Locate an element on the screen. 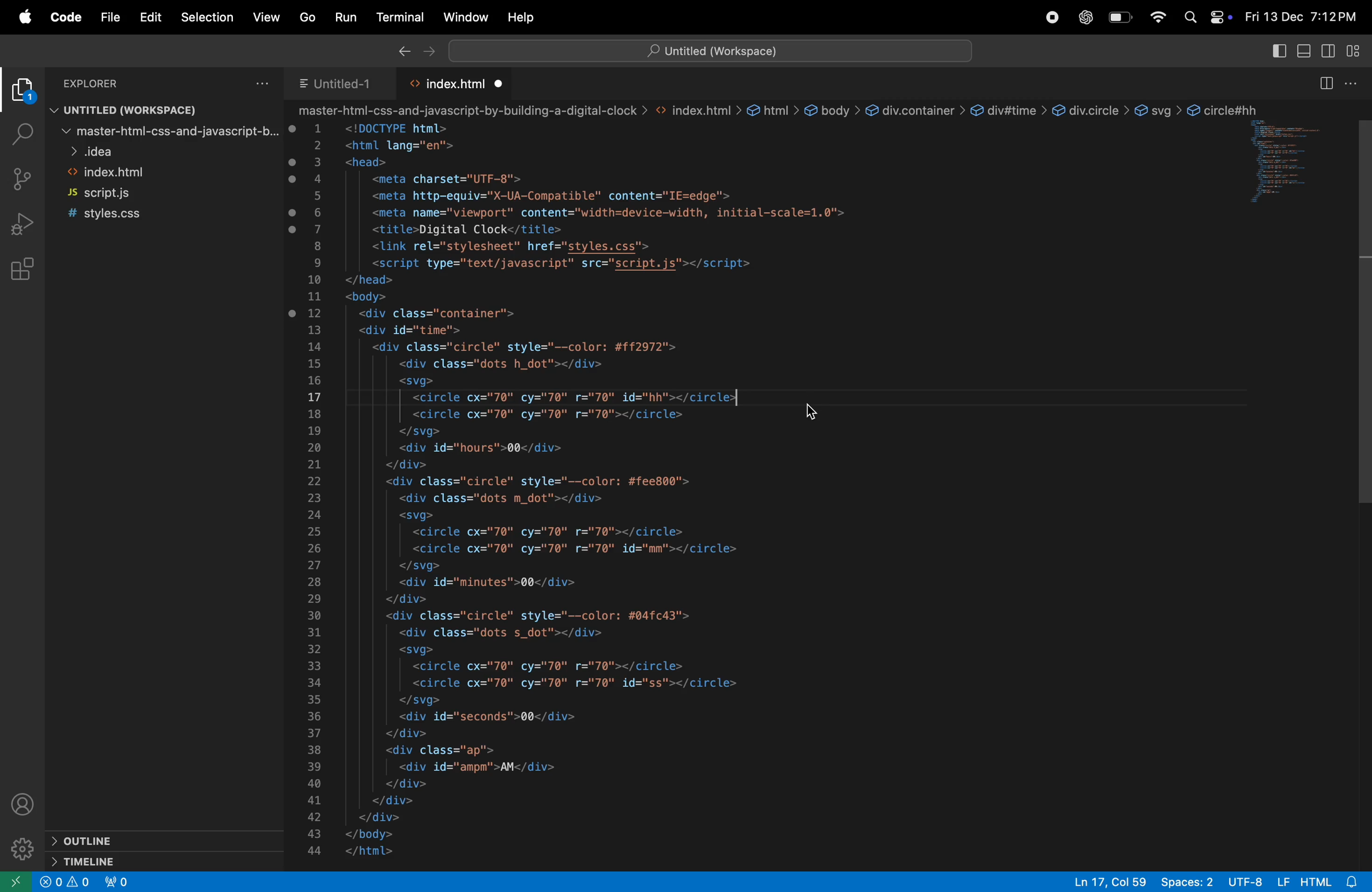  SLUULTTTTL num
<html lang="en">
<head>
<meta charset="UTF-8">
<meta http-equiv="X-UA-Compatible" content="IE=edge">
<meta name="viewport" content="width=device-width, initial-scale=1.0">
<title>Digital Clock</title>
<link rel="stylesheet" href="styles.css">
<script type="text/javascript" src="script.js"></script>
</head>
<body>
<div class="container">
<div id="time">
<div class="circle" style="--color: #ff2972">
<div class="dots h_dot"></div>
<svg>
<circle cx="70" cy="70" r="70" id="hh"></circle> N
<circle cx="70" cy="70" r="70"></circle>
</svg>
<div id="hours">00</div>
</div>
<div class="circle" style="--color: #fee800">
<div class="dots m_dot"></div>
<svg>
<circle cx="70" cy="70" r="70"></circle>
<circle cx="70" cy="70" r="70" id="mm"></circle>
</svg>
<div id="minutes">00</div>
</div>
<div class="circle" style="--color: #04fc43">
<div class="dots s_dot"></div>
<svg>
<circle cx="70" cy="70" r="70"></circle>
<circle cx="70" cy="70" r="70" id="ss"></circle>
</svg>
<div id="seconds">00</div>
</div>
<div class="ap">
<div id="ampm">AM</div>
</div>
</div>
</div>
</body>
</html> is located at coordinates (612, 490).